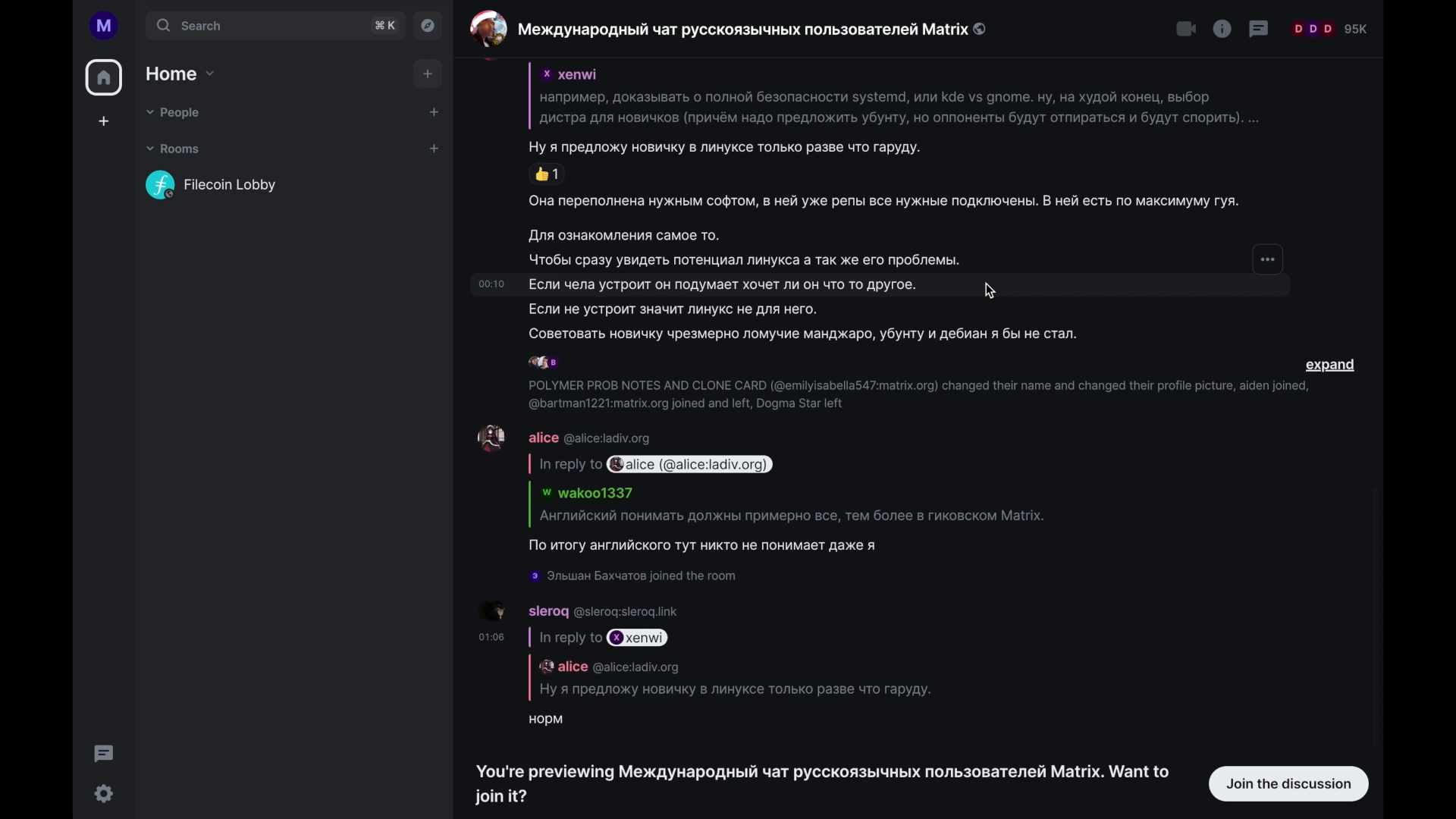 This screenshot has width=1456, height=819. What do you see at coordinates (917, 395) in the screenshot?
I see `POLYMER PROB NOTES AND CLONE CARD (@emilyisabella547:matrix.org) changed their name and changed their profile picture, aiden joined,
@bartman1221:matrix.org joined and left, Dogma Star left` at bounding box center [917, 395].